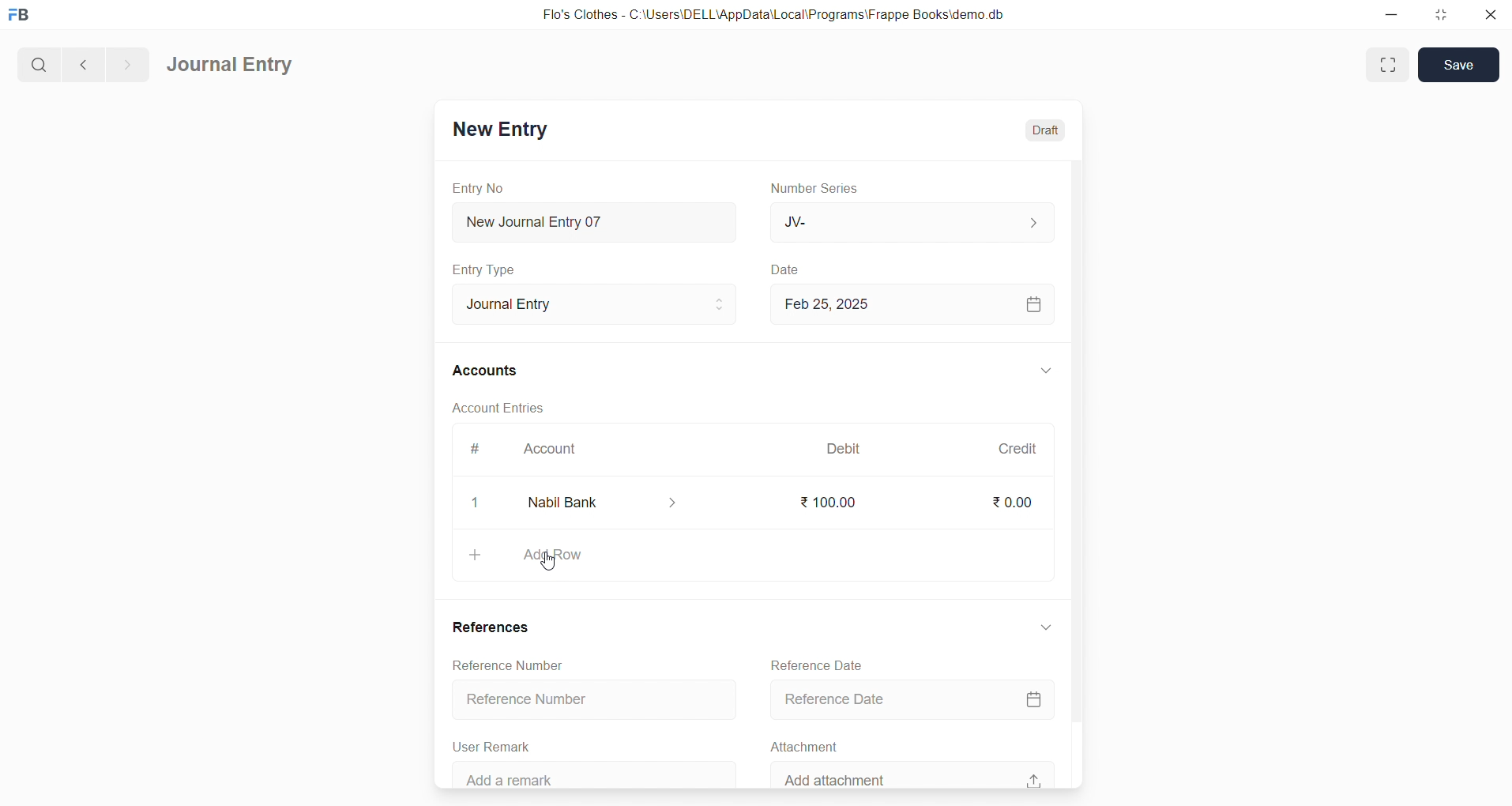 Image resolution: width=1512 pixels, height=806 pixels. I want to click on Accounts, so click(486, 372).